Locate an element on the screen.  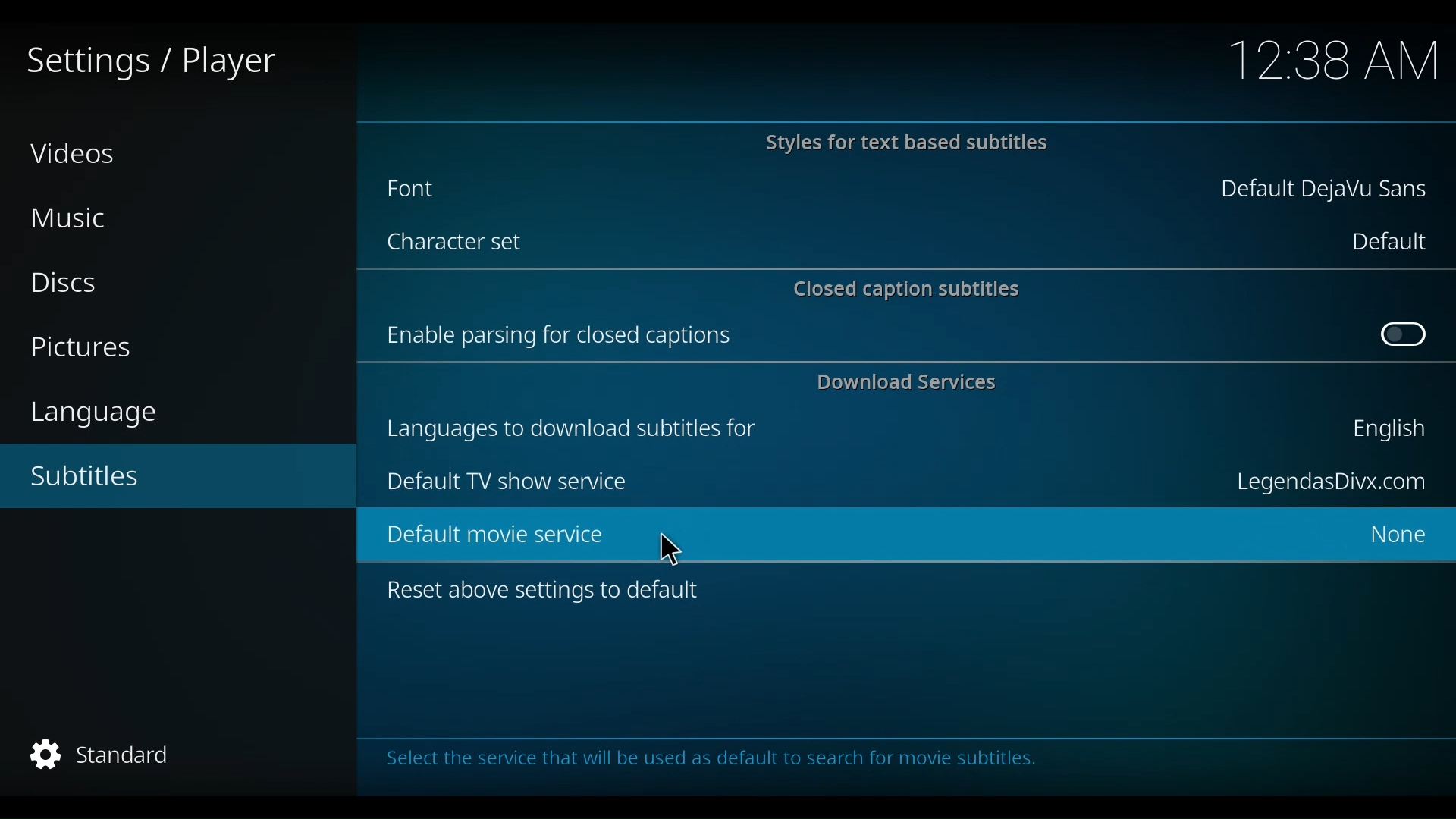
Default DejaVu Sans is located at coordinates (1325, 191).